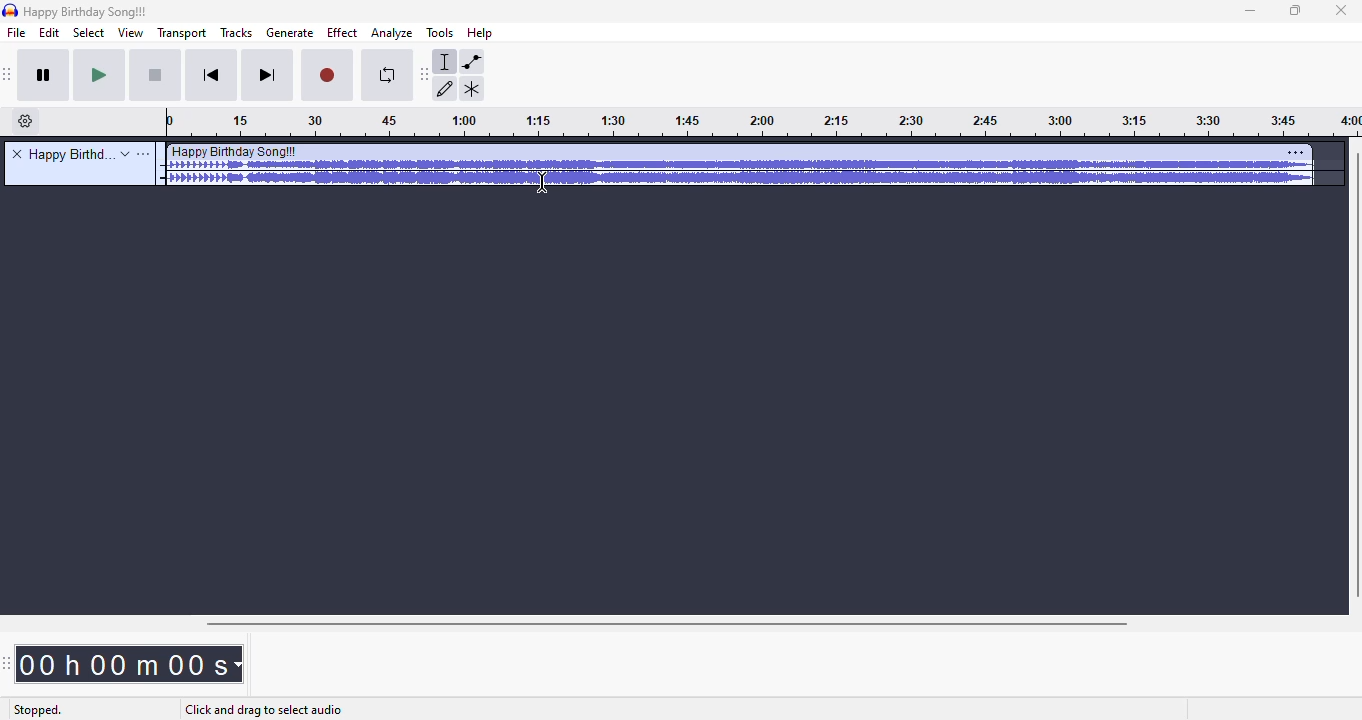  What do you see at coordinates (384, 77) in the screenshot?
I see `enable looping` at bounding box center [384, 77].